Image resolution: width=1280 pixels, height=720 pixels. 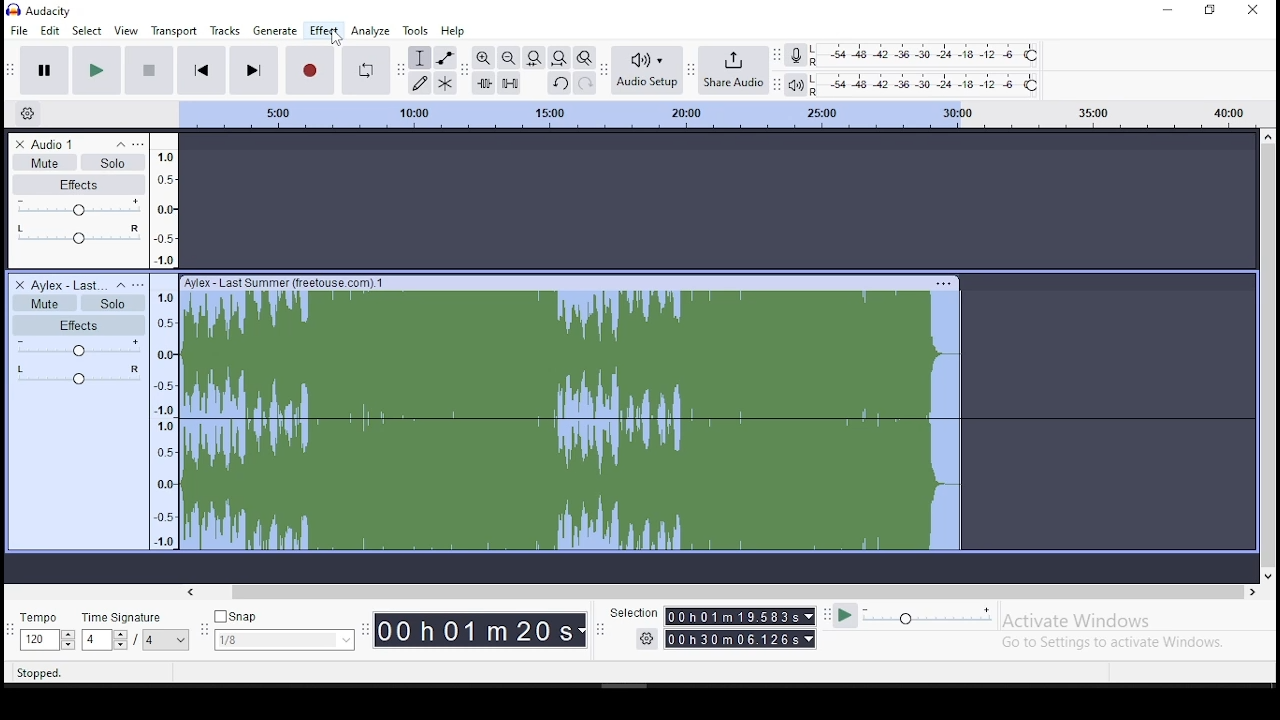 What do you see at coordinates (925, 83) in the screenshot?
I see `playback level` at bounding box center [925, 83].